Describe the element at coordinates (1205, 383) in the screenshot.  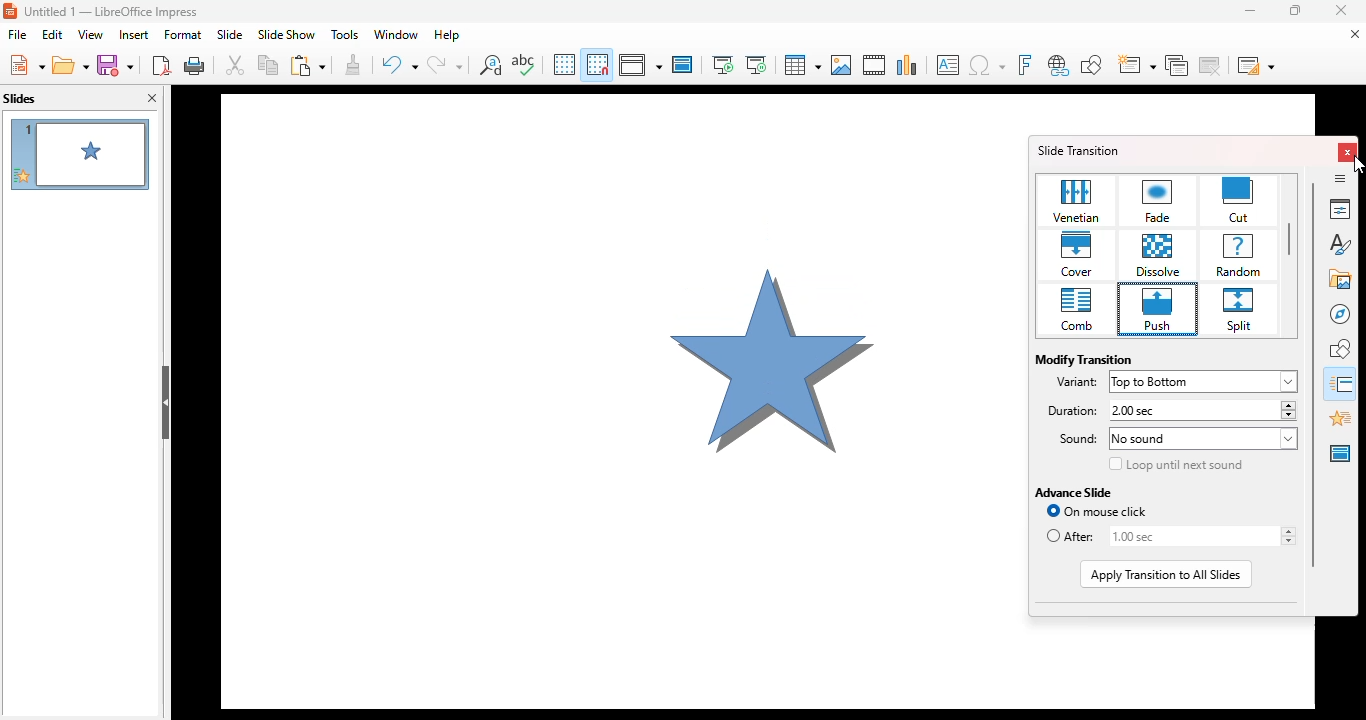
I see `top to bottom` at that location.